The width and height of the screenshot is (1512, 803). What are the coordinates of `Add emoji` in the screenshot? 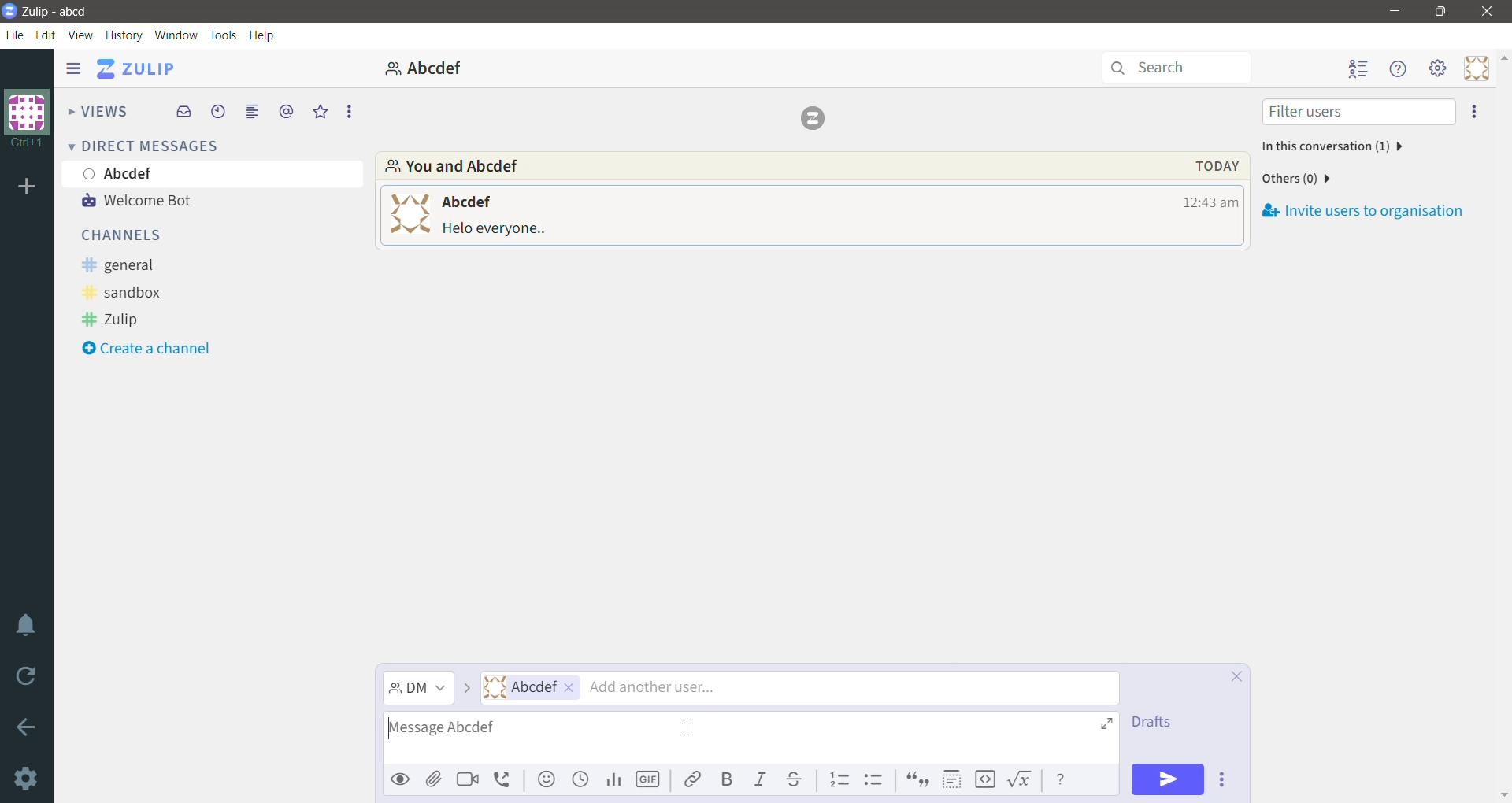 It's located at (547, 779).